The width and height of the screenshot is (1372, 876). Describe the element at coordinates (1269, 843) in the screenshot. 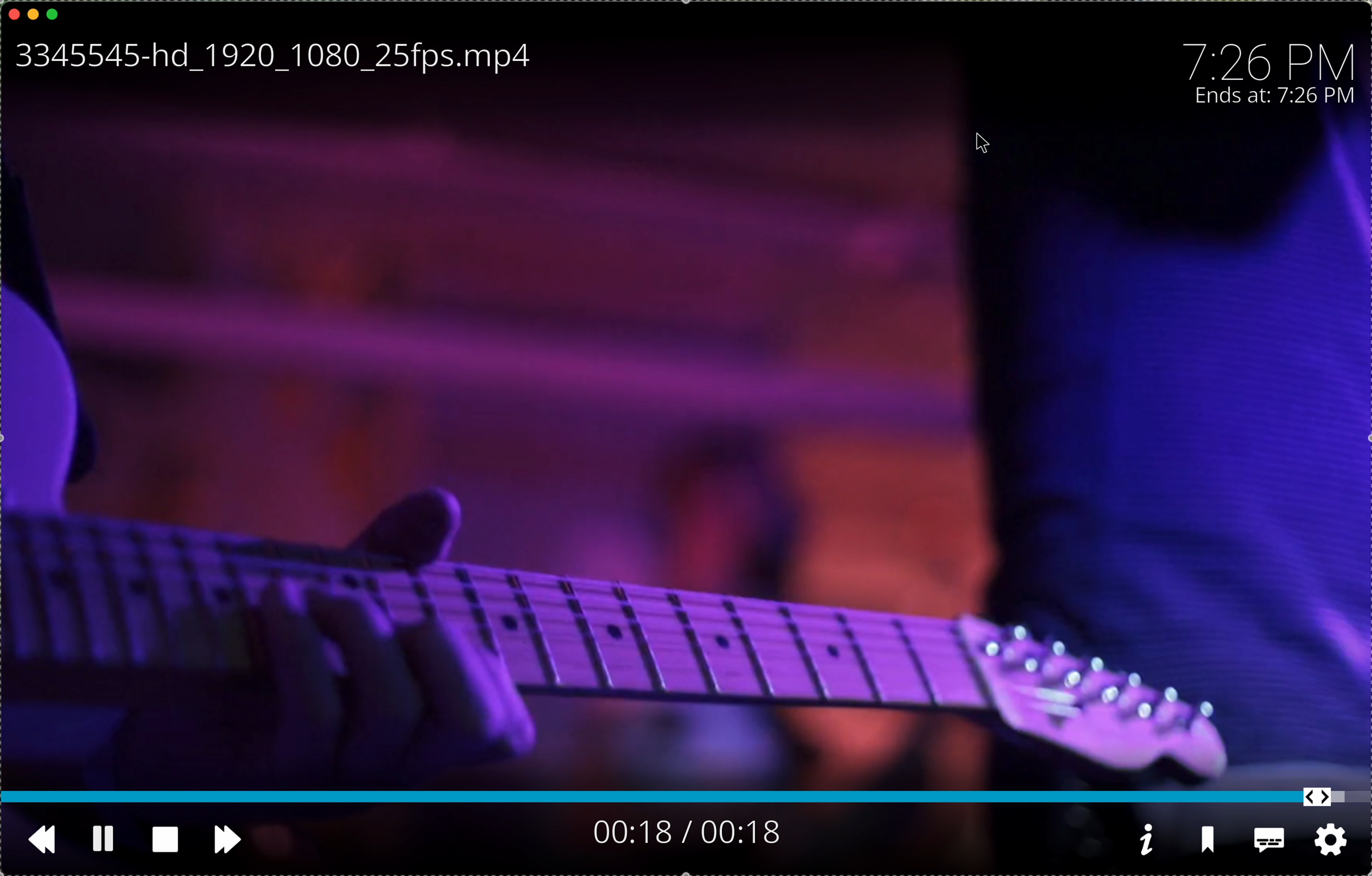

I see `subtitles` at that location.